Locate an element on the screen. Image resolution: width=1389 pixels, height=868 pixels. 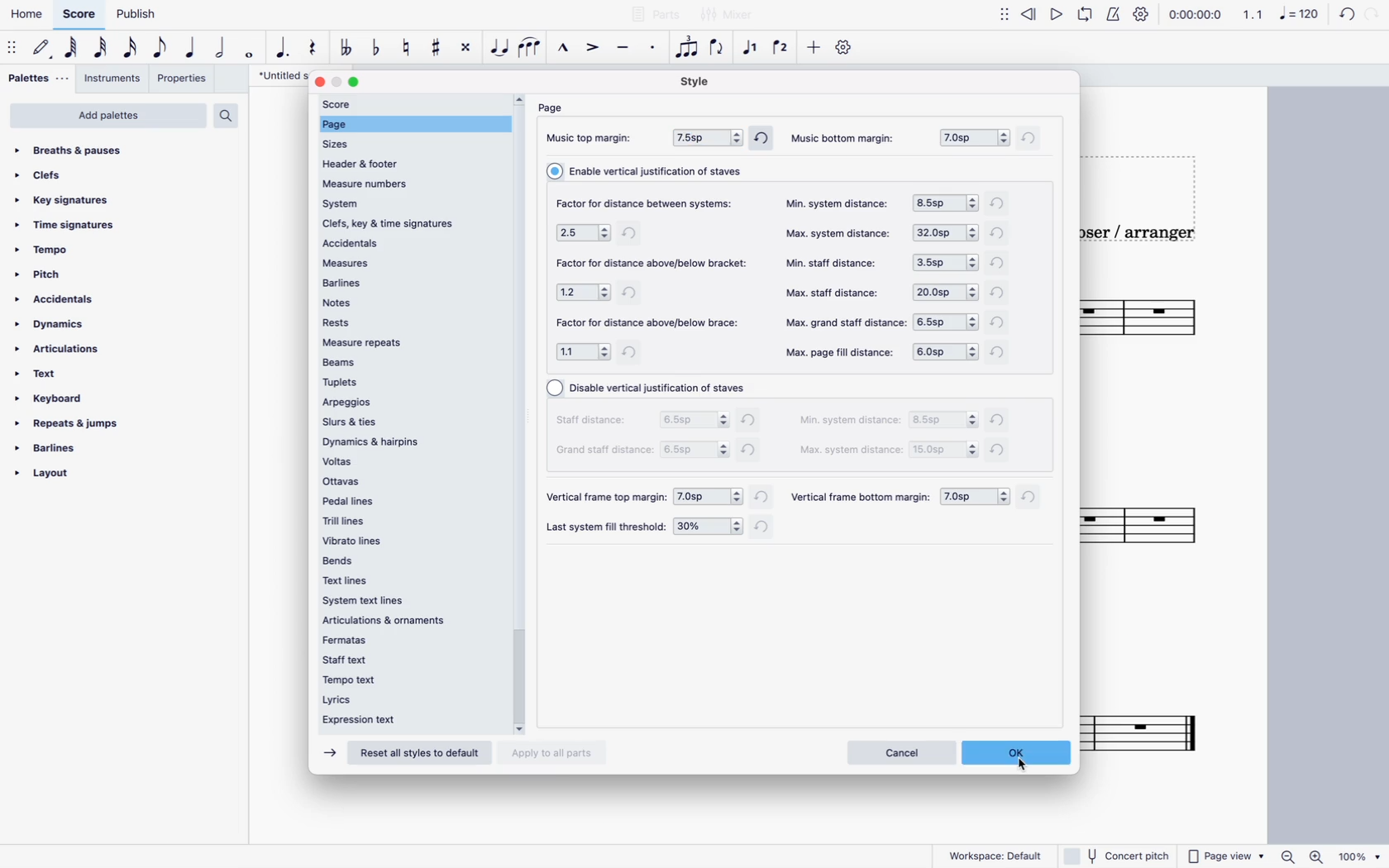
bends is located at coordinates (405, 559).